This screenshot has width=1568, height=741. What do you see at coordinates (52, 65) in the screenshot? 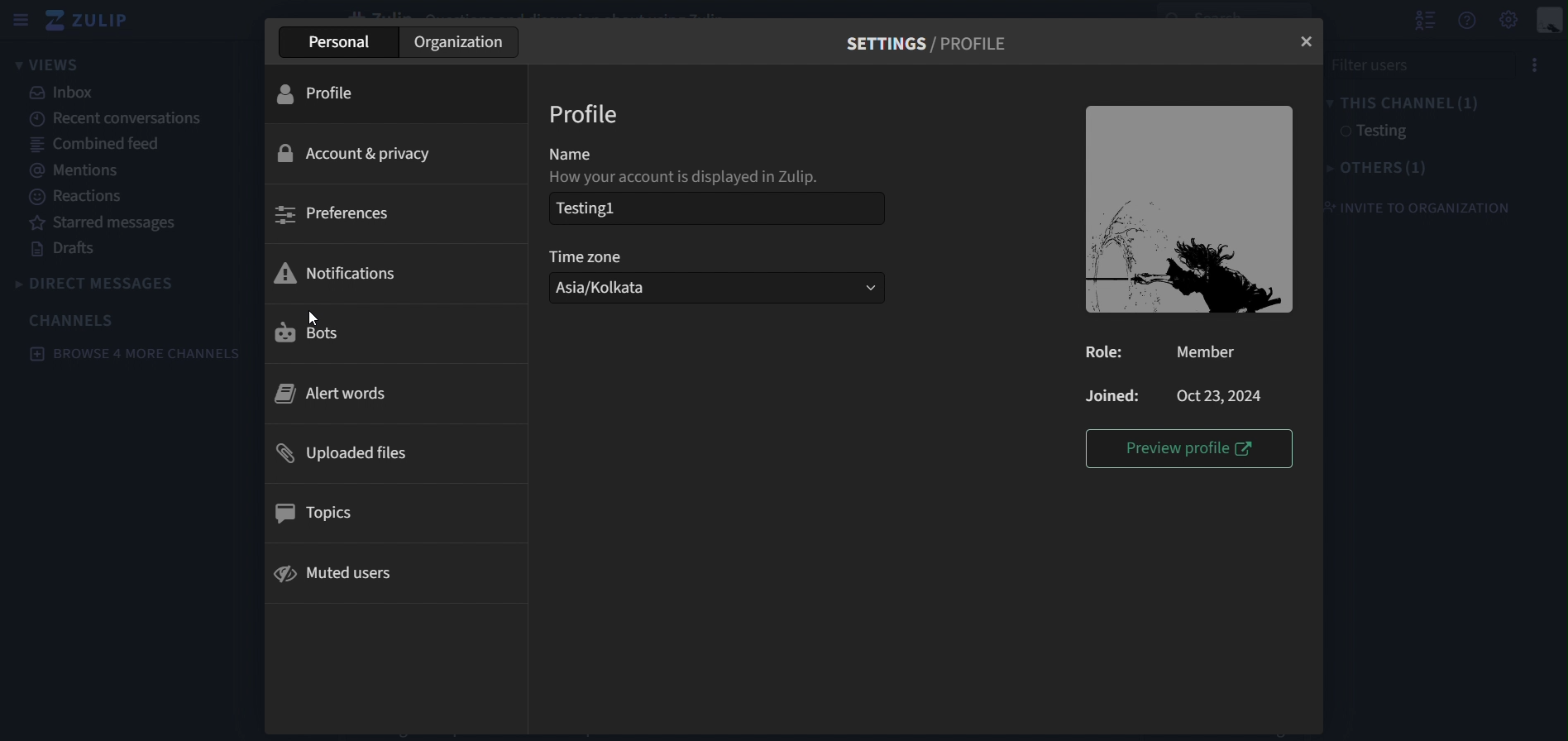
I see `views` at bounding box center [52, 65].